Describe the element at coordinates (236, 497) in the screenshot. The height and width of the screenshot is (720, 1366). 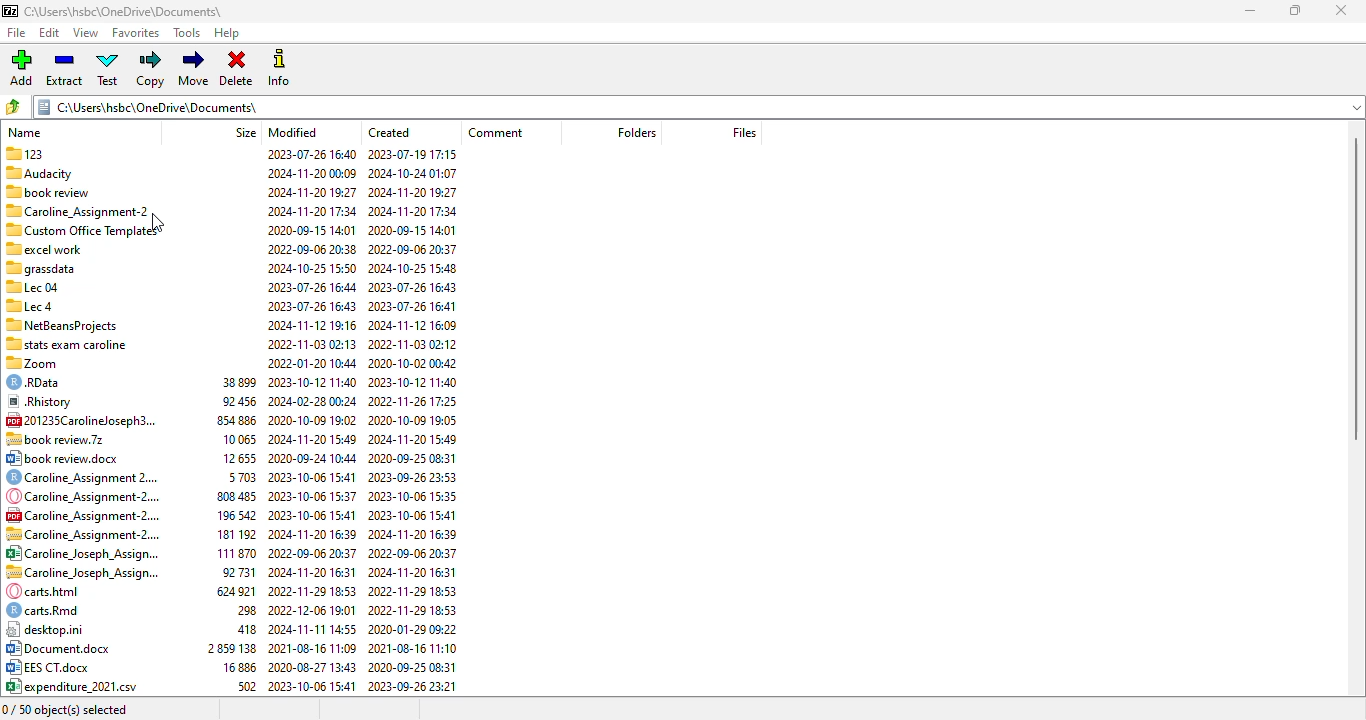
I see `808 485` at that location.